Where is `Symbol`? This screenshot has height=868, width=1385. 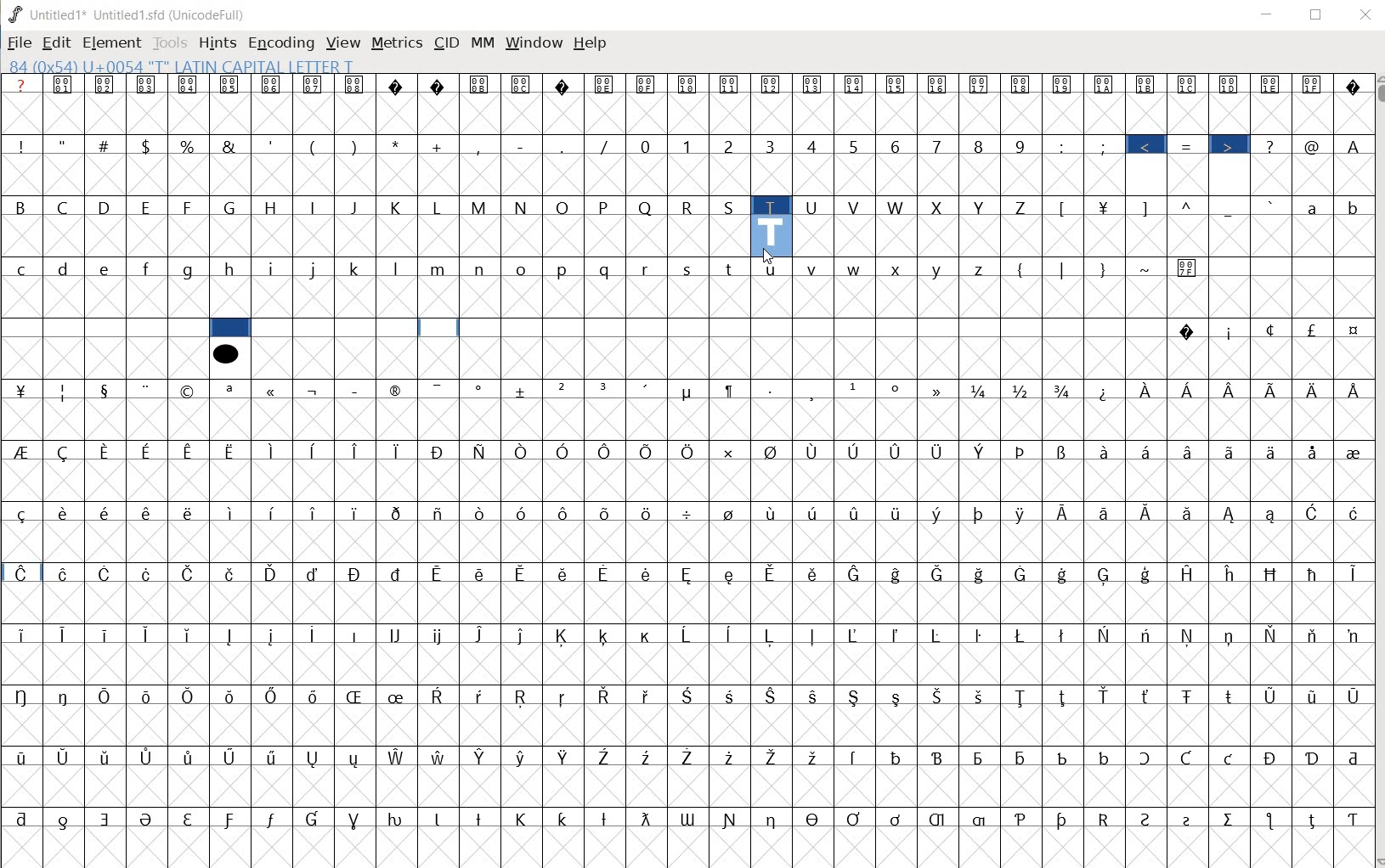
Symbol is located at coordinates (1275, 389).